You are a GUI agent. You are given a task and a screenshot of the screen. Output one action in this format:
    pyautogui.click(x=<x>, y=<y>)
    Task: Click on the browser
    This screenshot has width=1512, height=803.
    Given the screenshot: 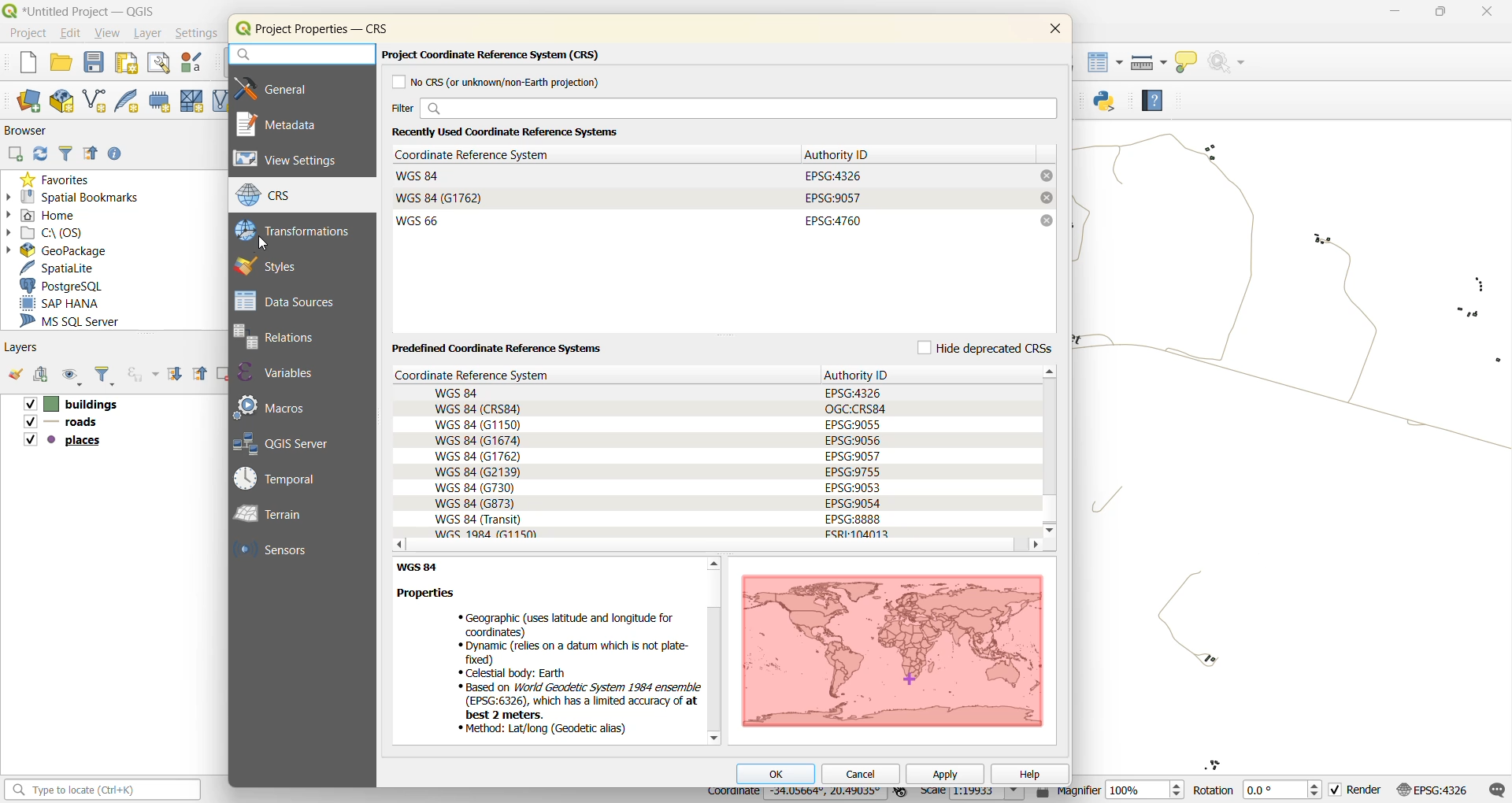 What is the action you would take?
    pyautogui.click(x=31, y=133)
    